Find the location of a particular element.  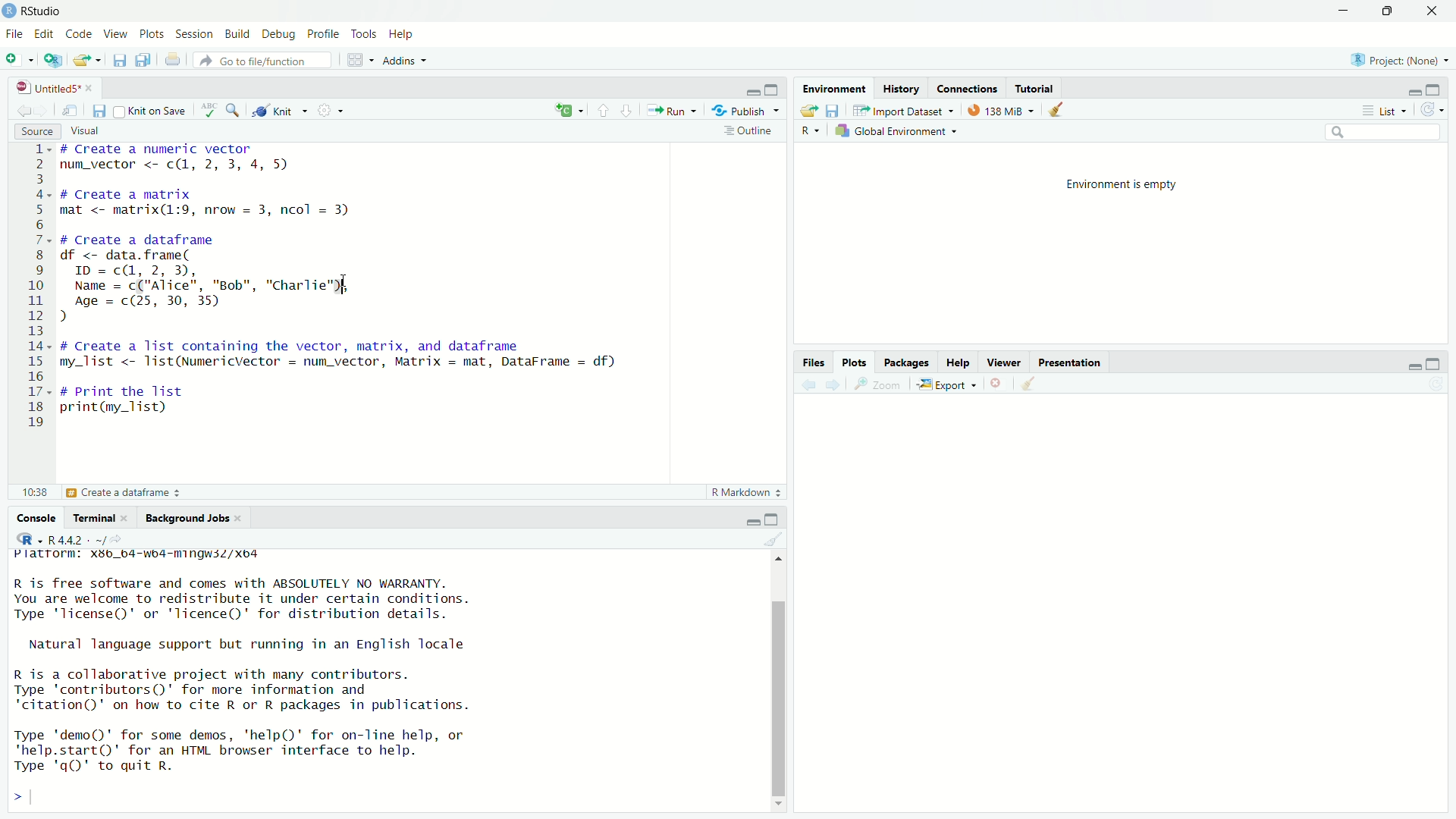

print is located at coordinates (174, 61).